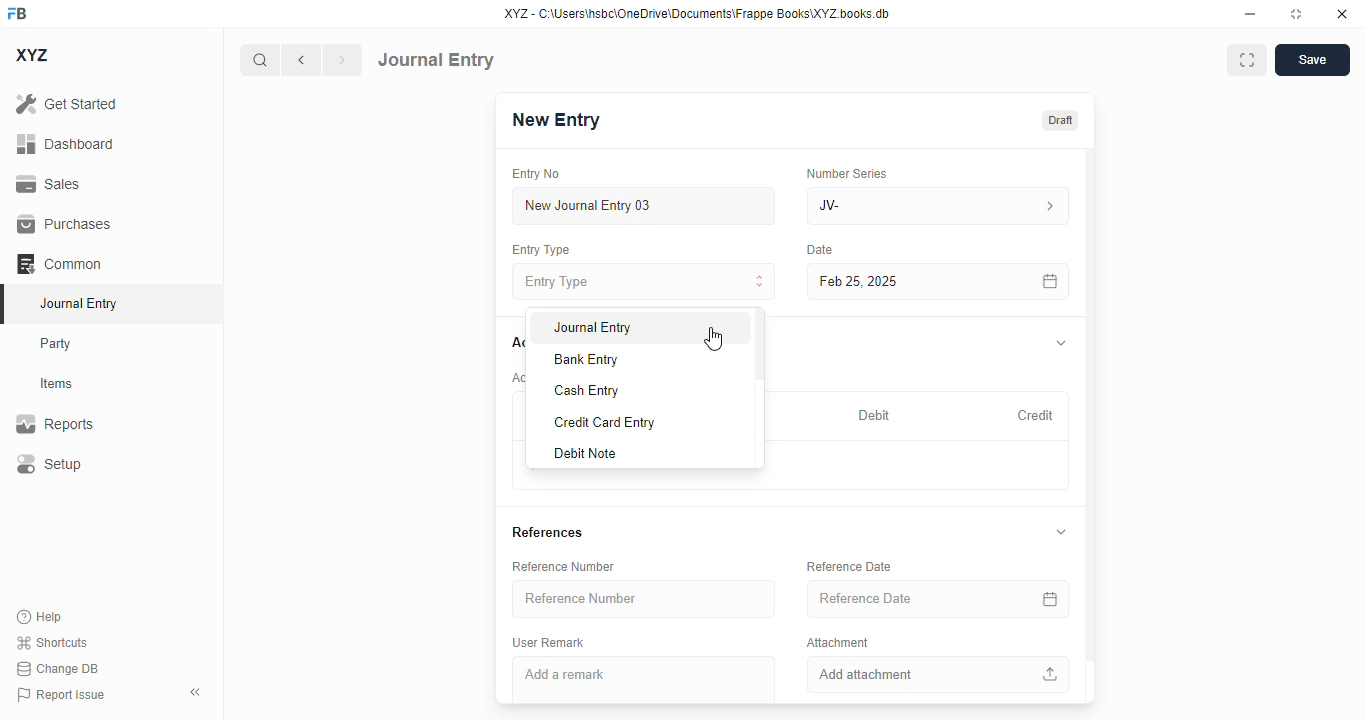 This screenshot has height=720, width=1366. I want to click on setup, so click(48, 463).